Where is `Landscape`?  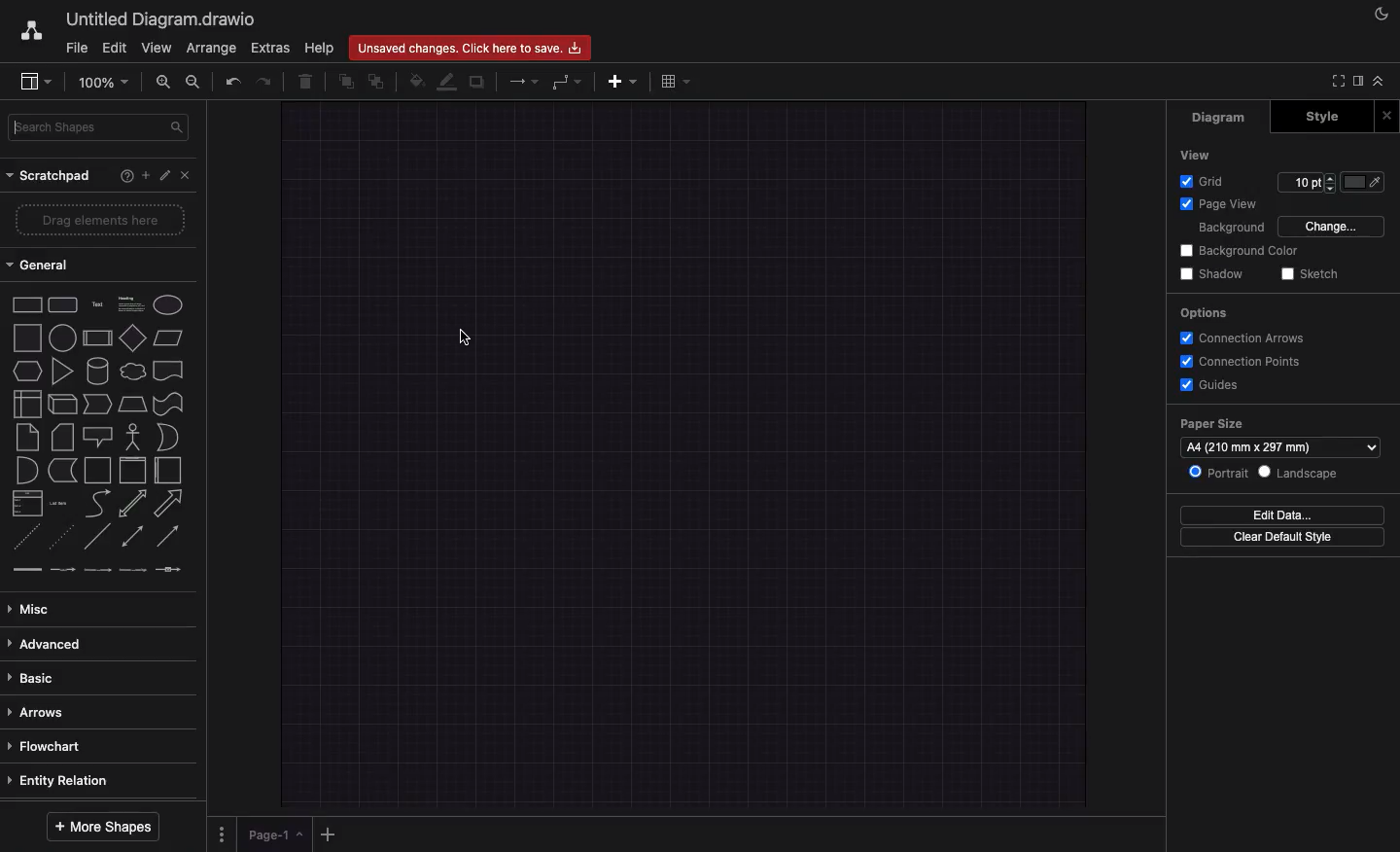
Landscape is located at coordinates (1299, 473).